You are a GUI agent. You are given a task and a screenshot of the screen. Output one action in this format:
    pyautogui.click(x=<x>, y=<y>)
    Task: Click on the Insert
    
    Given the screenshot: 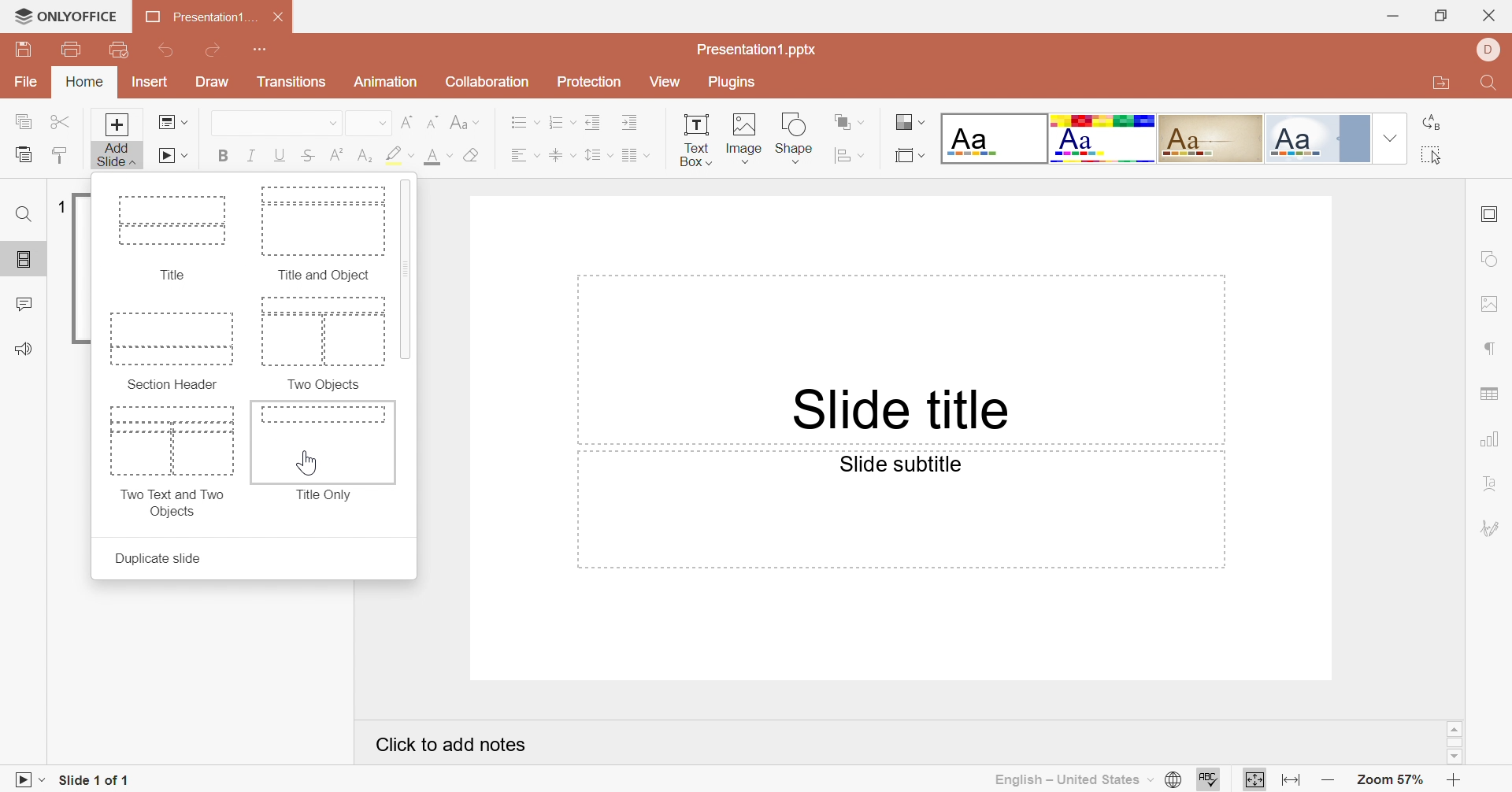 What is the action you would take?
    pyautogui.click(x=151, y=81)
    